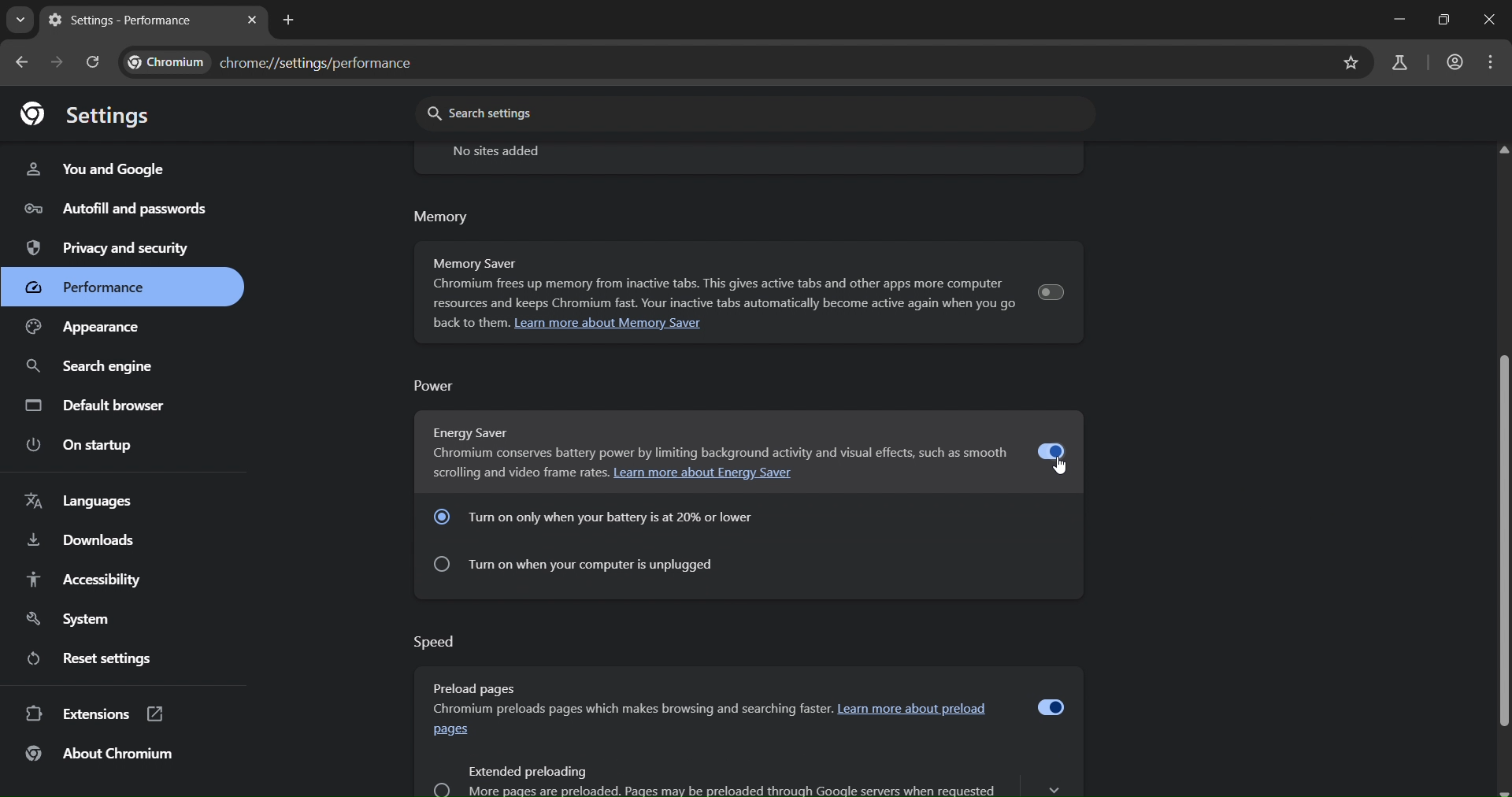 This screenshot has width=1512, height=797. Describe the element at coordinates (96, 172) in the screenshot. I see `you and google` at that location.